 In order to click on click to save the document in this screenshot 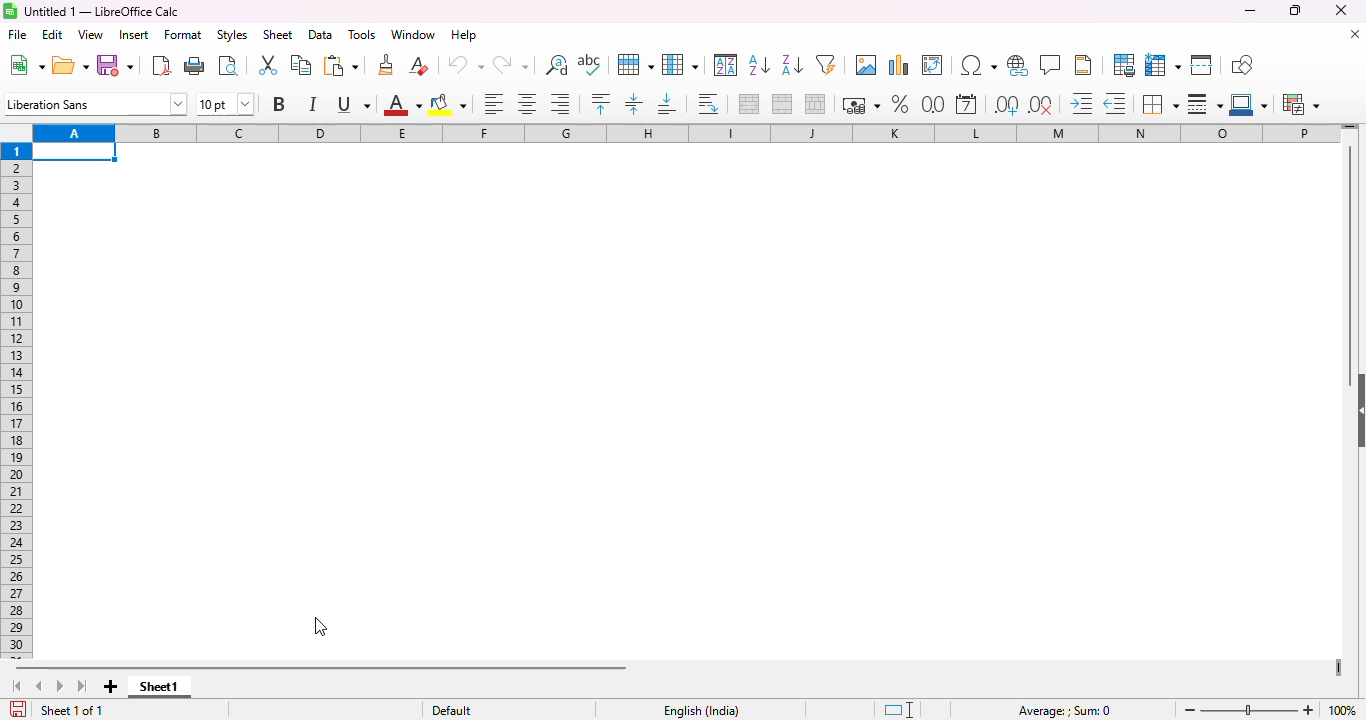, I will do `click(18, 709)`.